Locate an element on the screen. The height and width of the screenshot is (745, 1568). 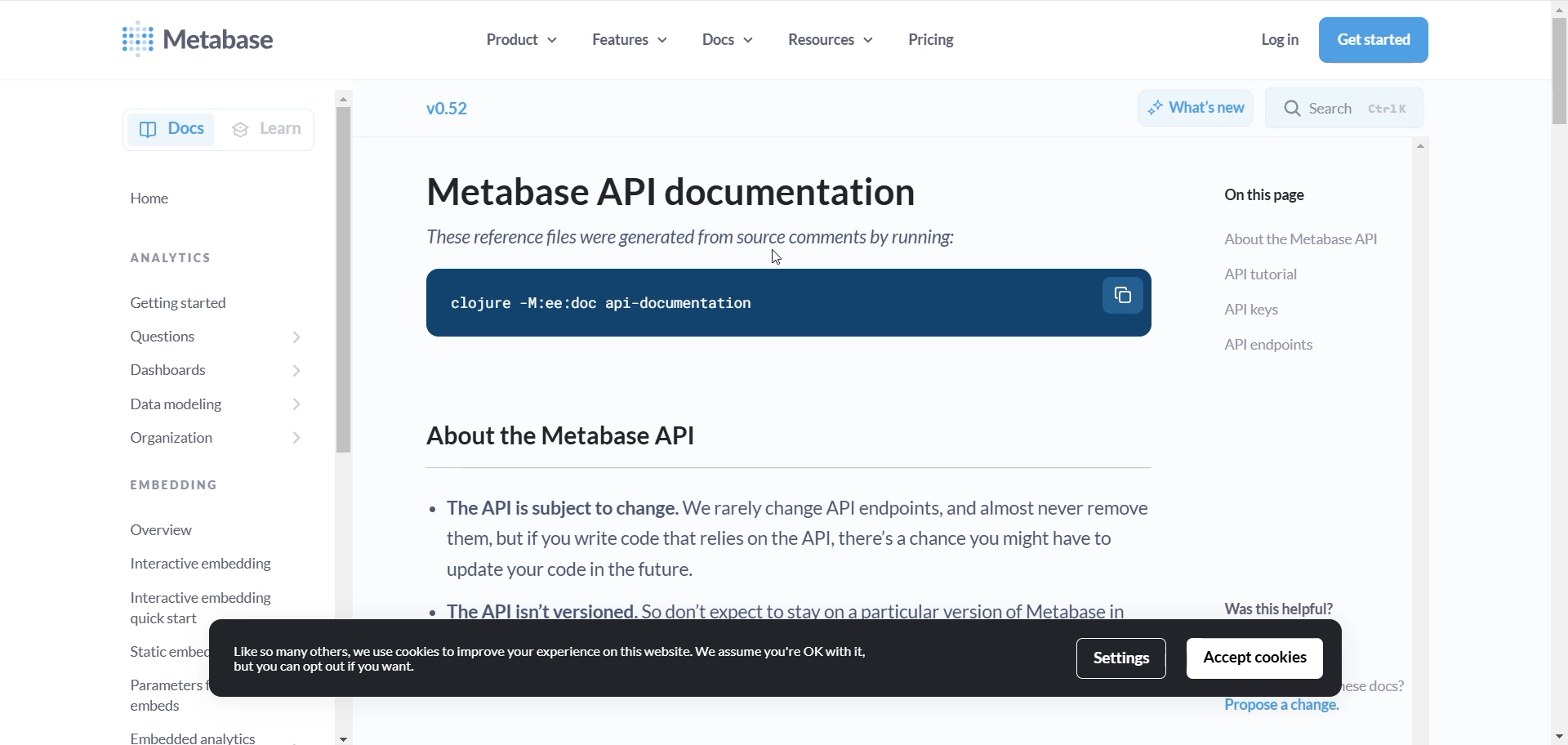
analytics is located at coordinates (189, 252).